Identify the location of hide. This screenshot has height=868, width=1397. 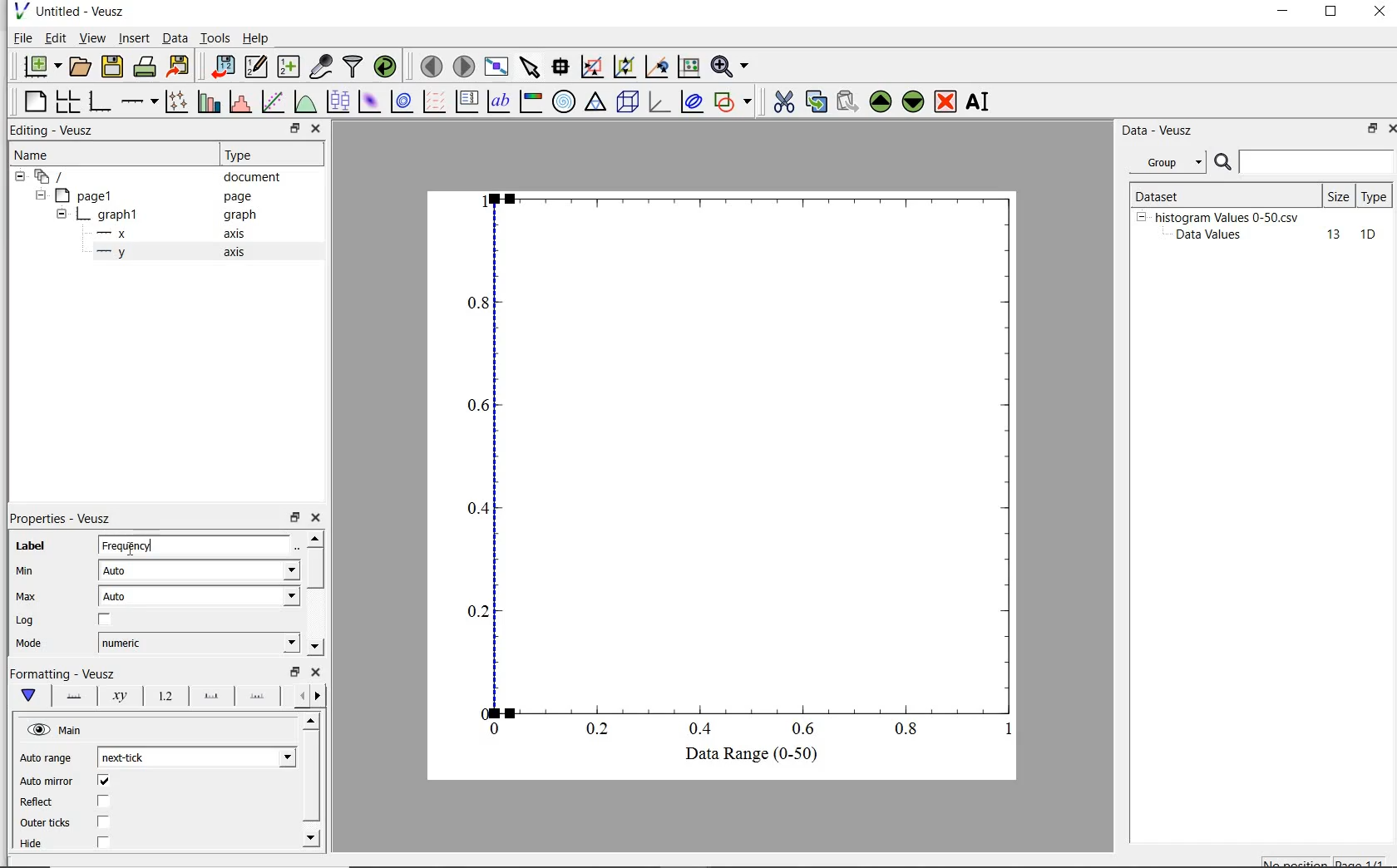
(20, 177).